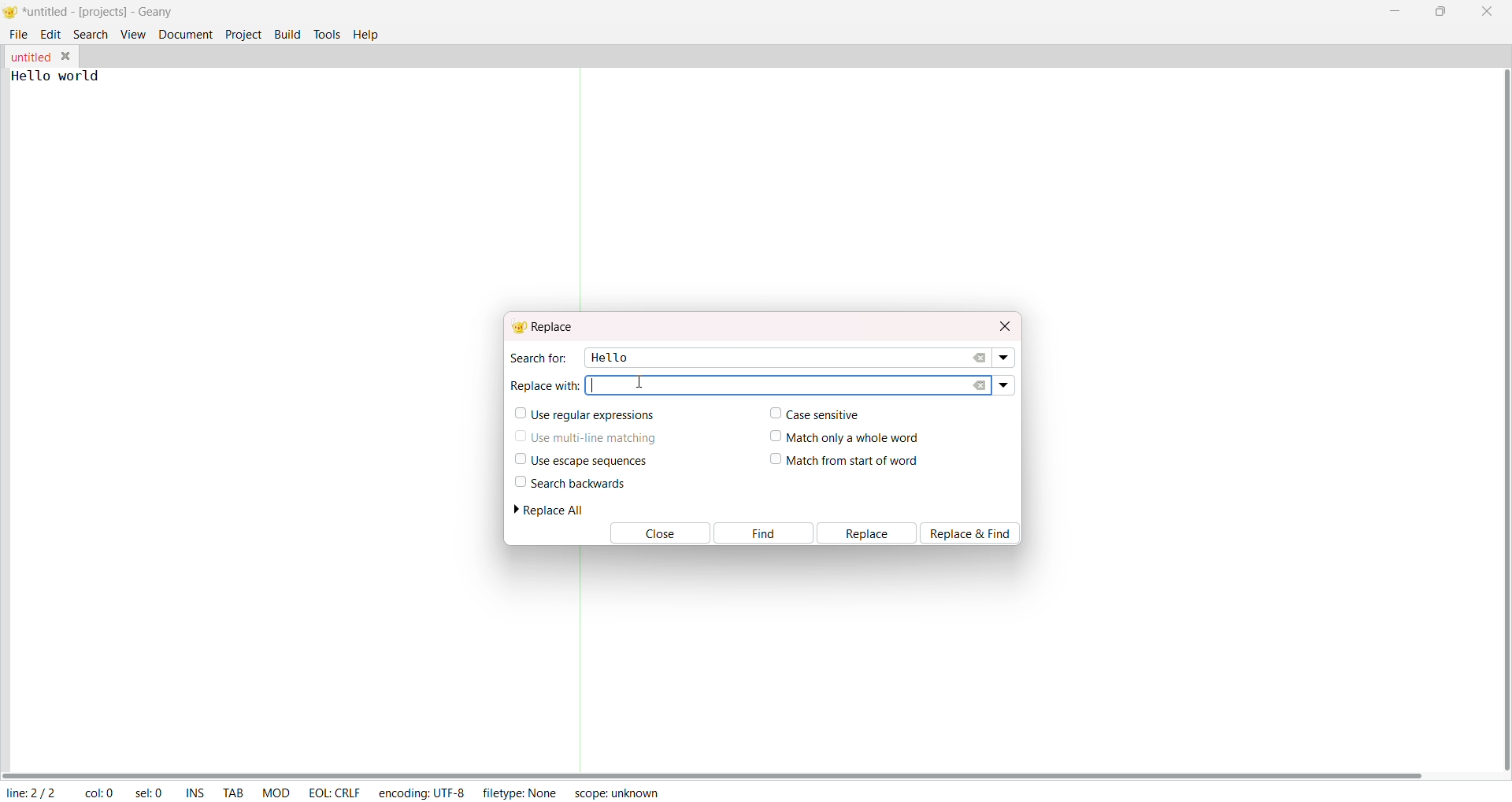 The height and width of the screenshot is (802, 1512). I want to click on logo, so click(10, 13).